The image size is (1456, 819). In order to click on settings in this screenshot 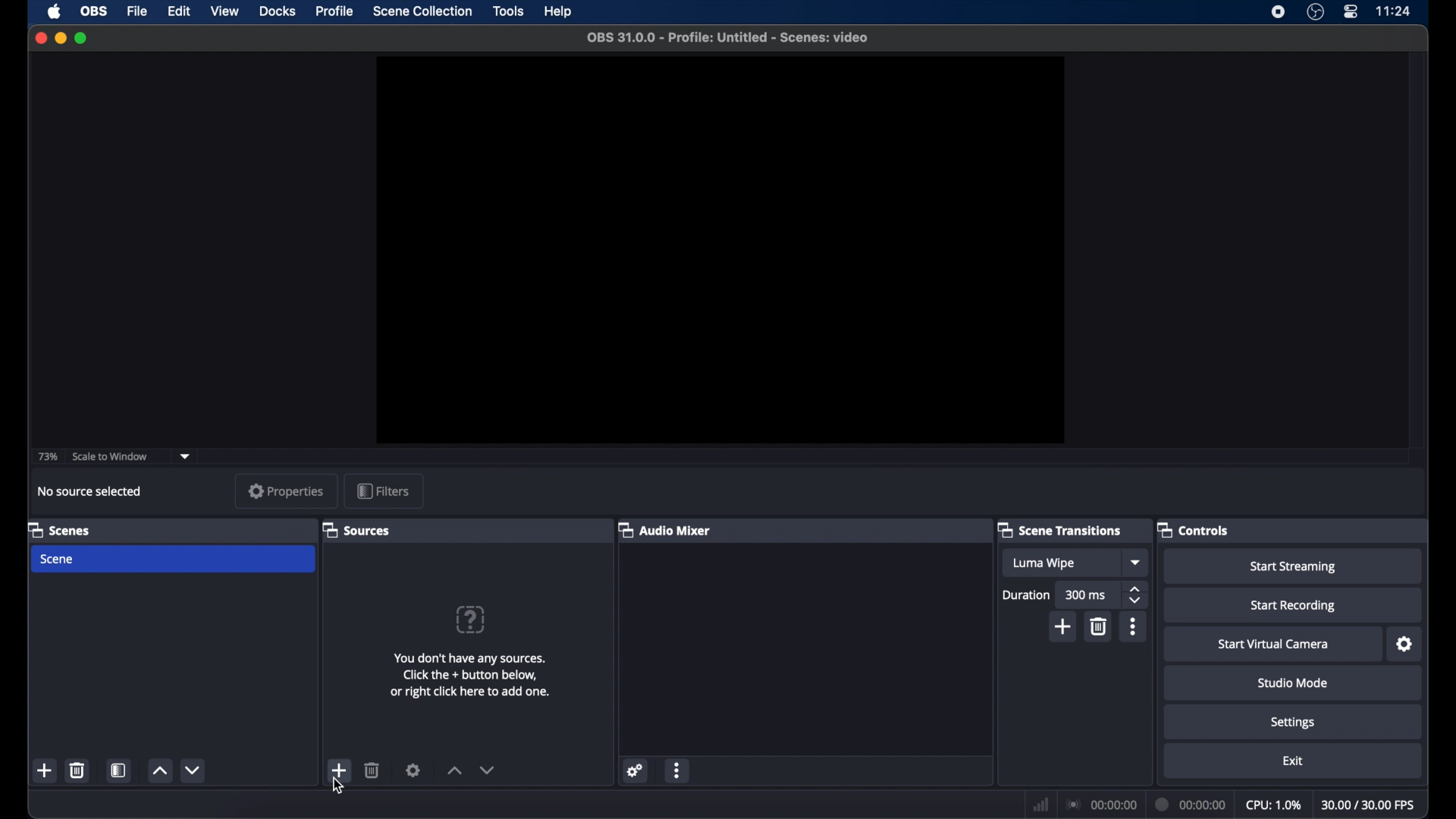, I will do `click(1294, 723)`.